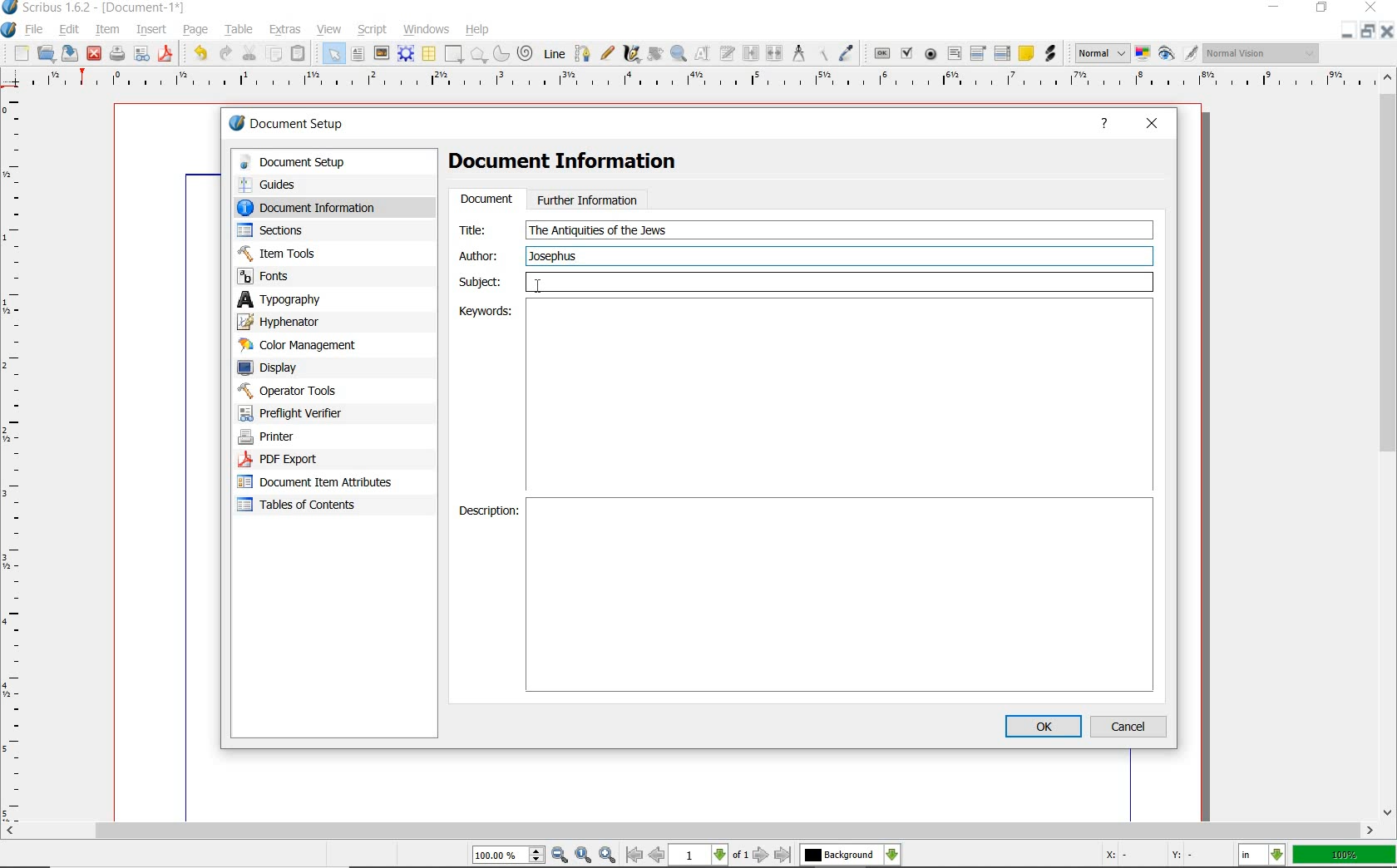 This screenshot has width=1397, height=868. Describe the element at coordinates (303, 299) in the screenshot. I see `typography` at that location.